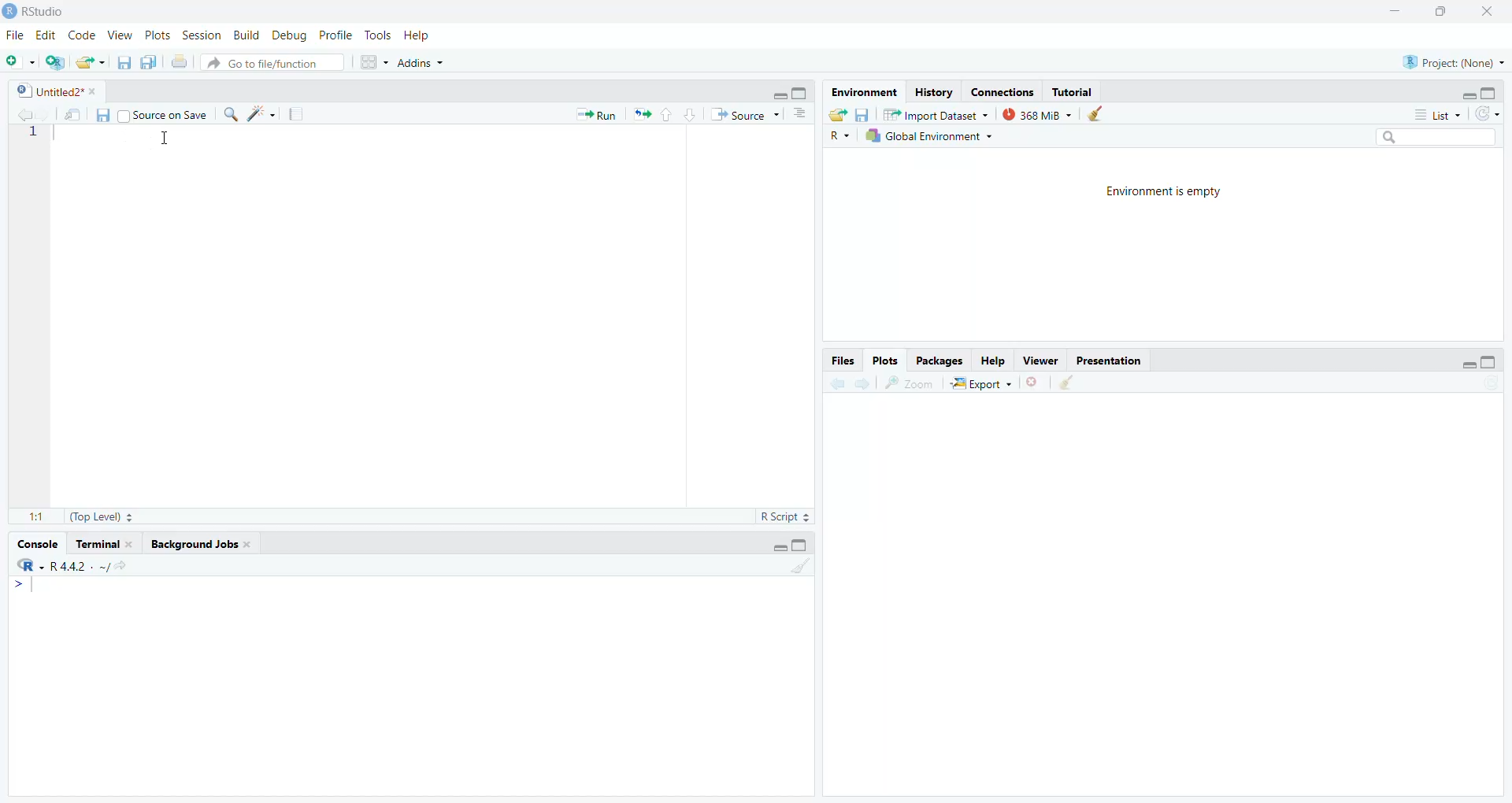 The image size is (1512, 803). I want to click on Debug, so click(291, 35).